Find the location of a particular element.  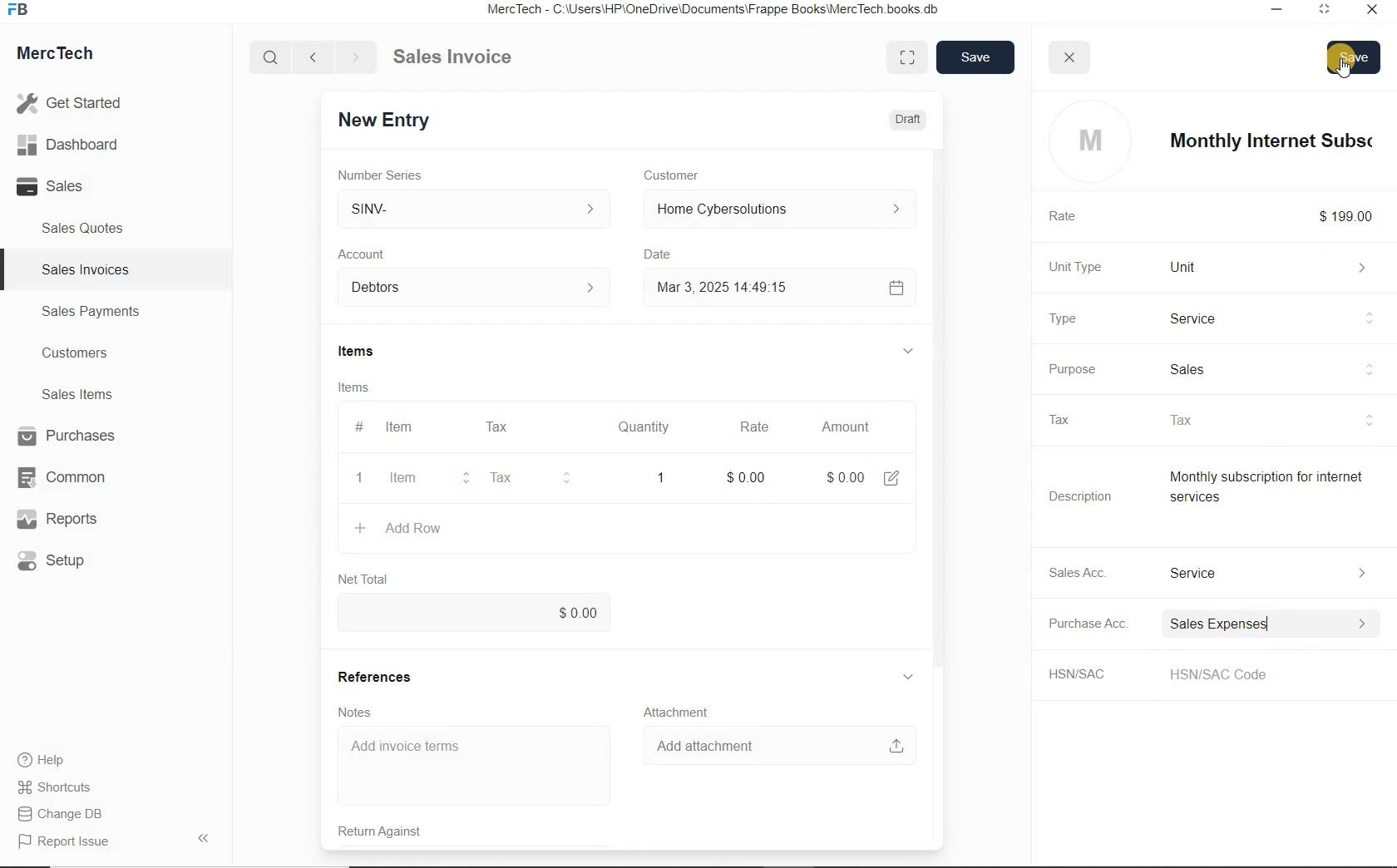

Item is located at coordinates (401, 427).